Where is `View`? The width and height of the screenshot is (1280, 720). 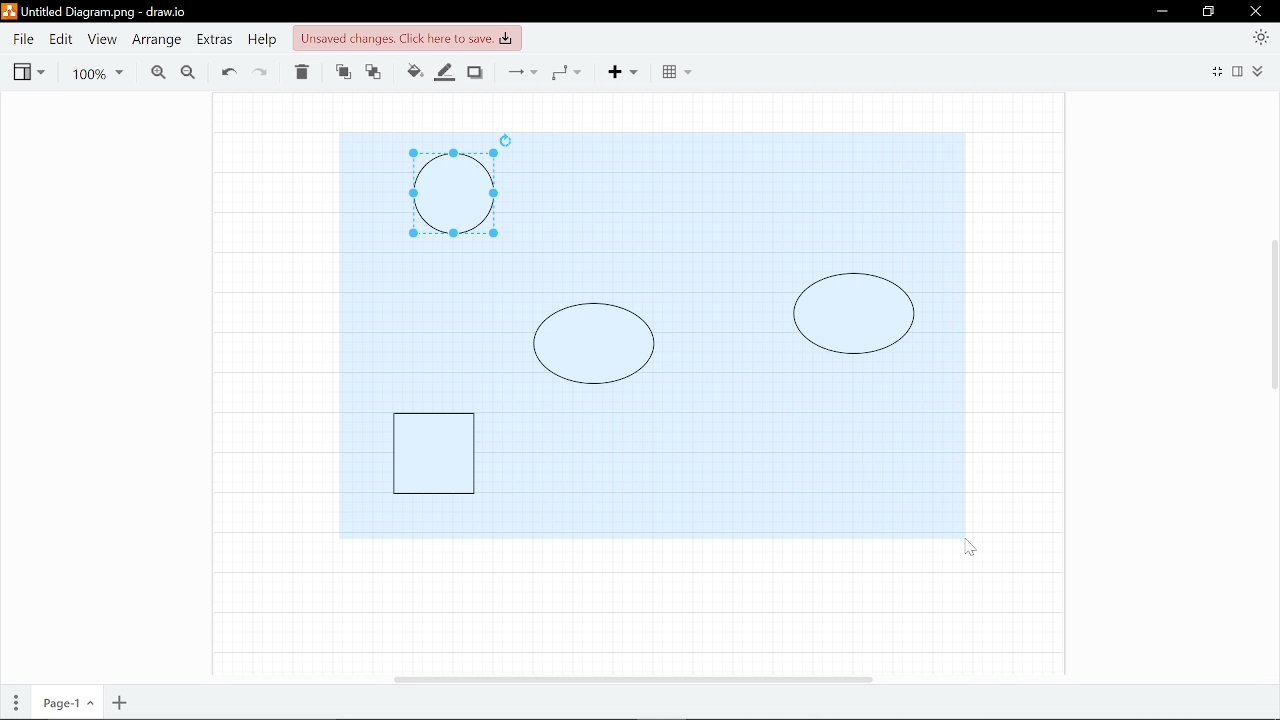 View is located at coordinates (28, 70).